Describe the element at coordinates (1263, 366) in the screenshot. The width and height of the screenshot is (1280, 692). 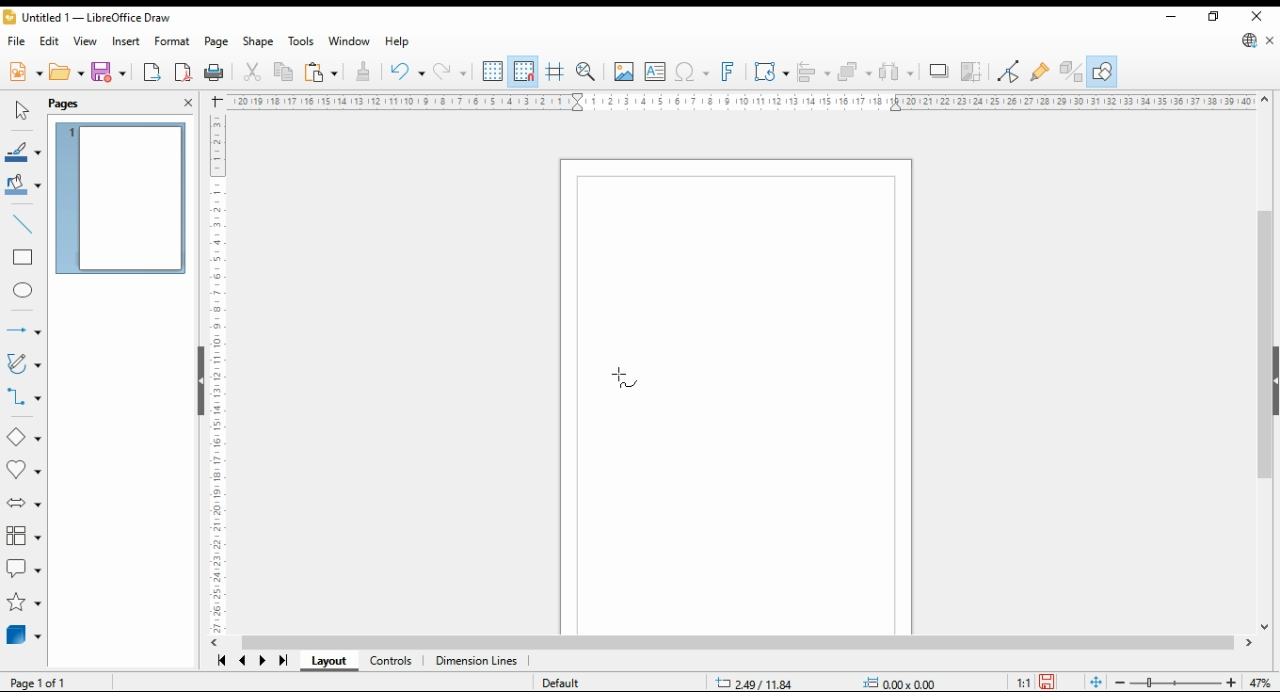
I see `scroll bar` at that location.